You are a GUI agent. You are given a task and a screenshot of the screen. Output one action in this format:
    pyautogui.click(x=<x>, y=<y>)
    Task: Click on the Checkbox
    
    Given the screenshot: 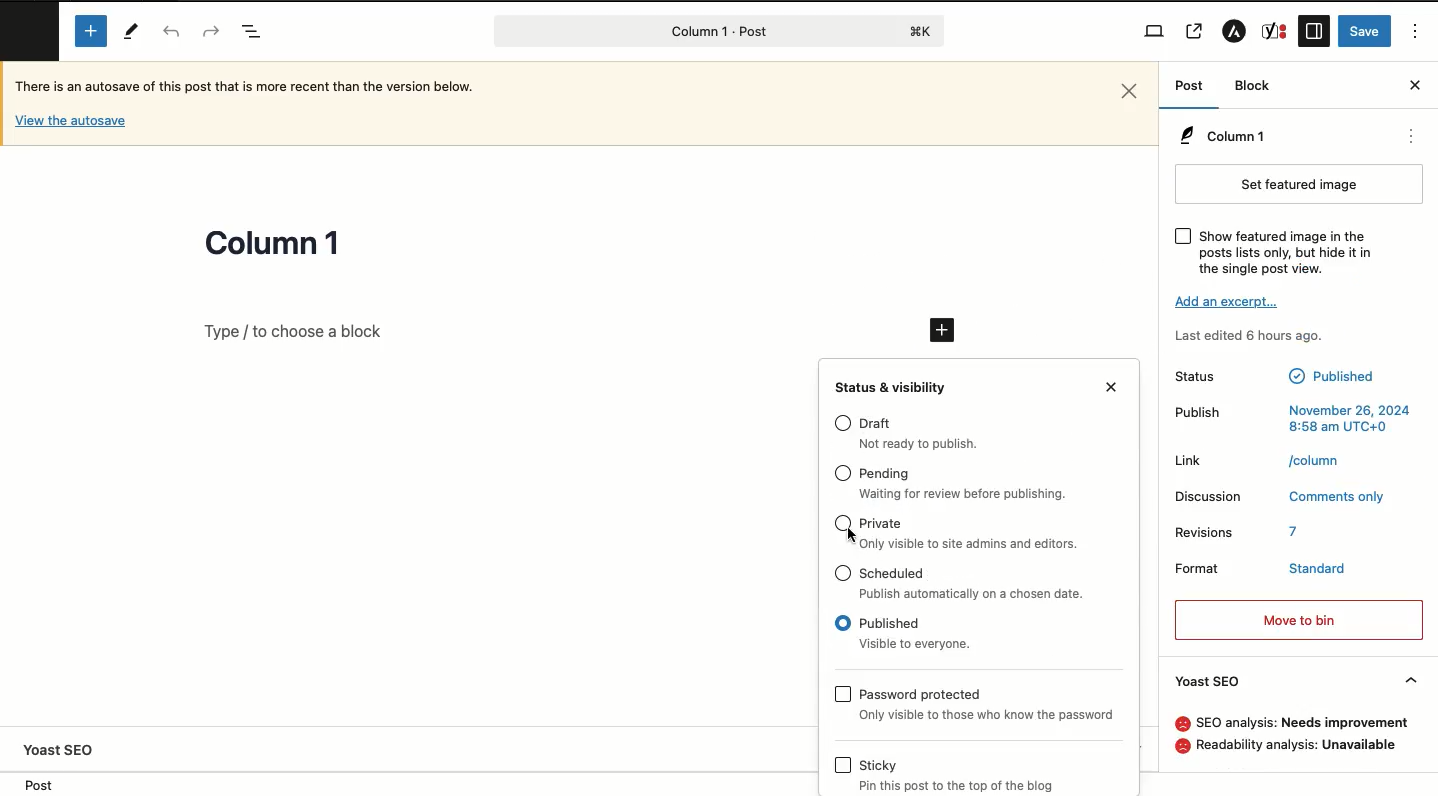 What is the action you would take?
    pyautogui.click(x=843, y=473)
    